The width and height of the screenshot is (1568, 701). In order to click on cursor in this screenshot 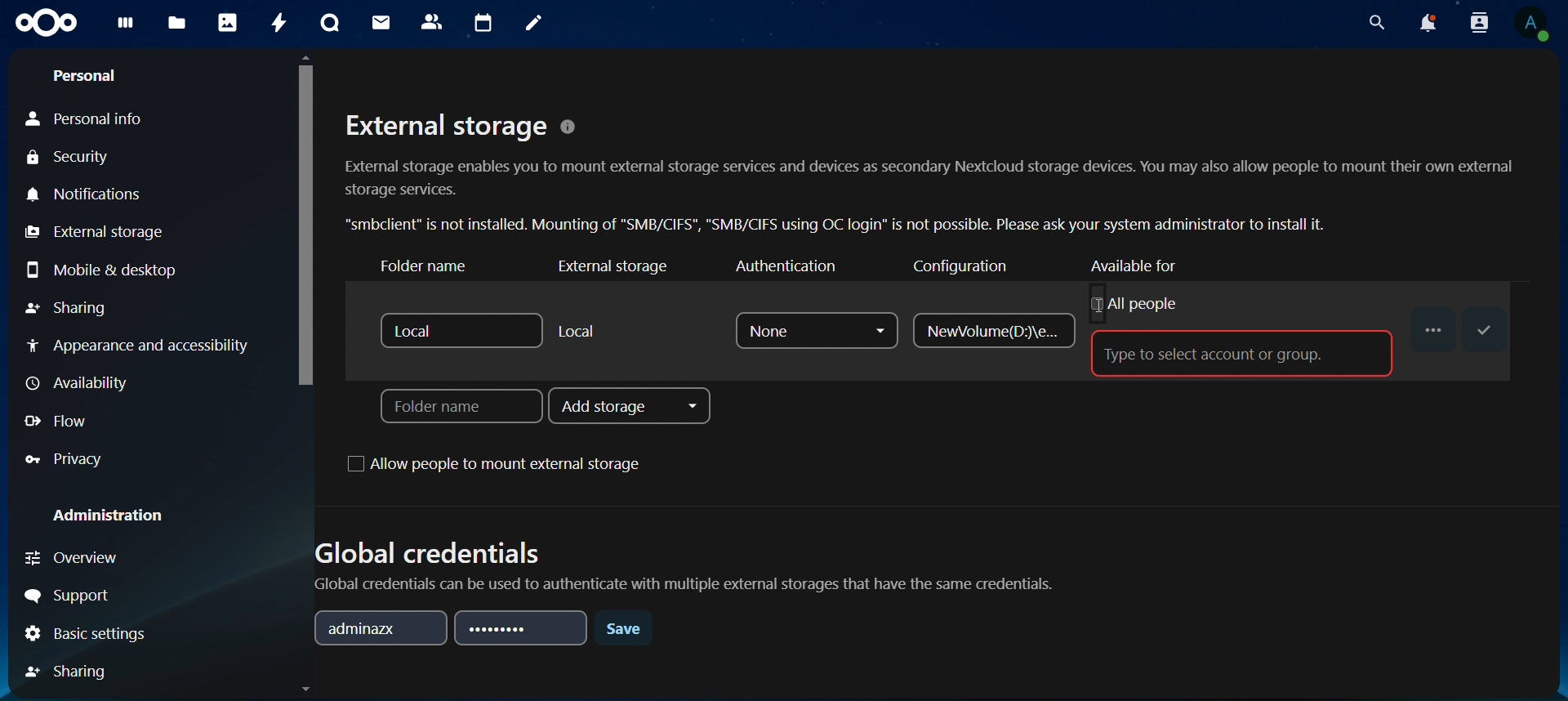, I will do `click(1098, 306)`.